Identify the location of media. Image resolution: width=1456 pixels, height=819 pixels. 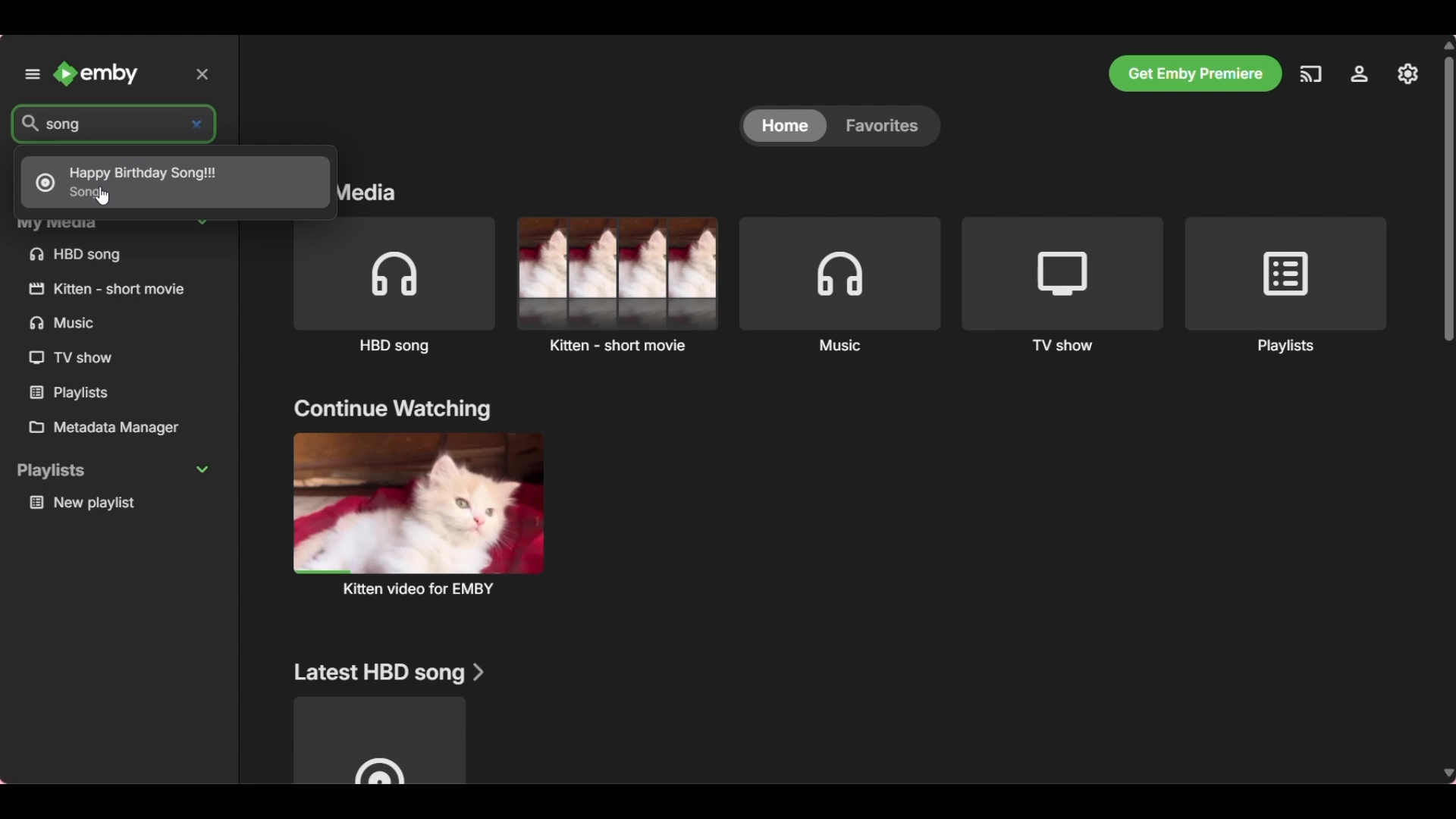
(381, 196).